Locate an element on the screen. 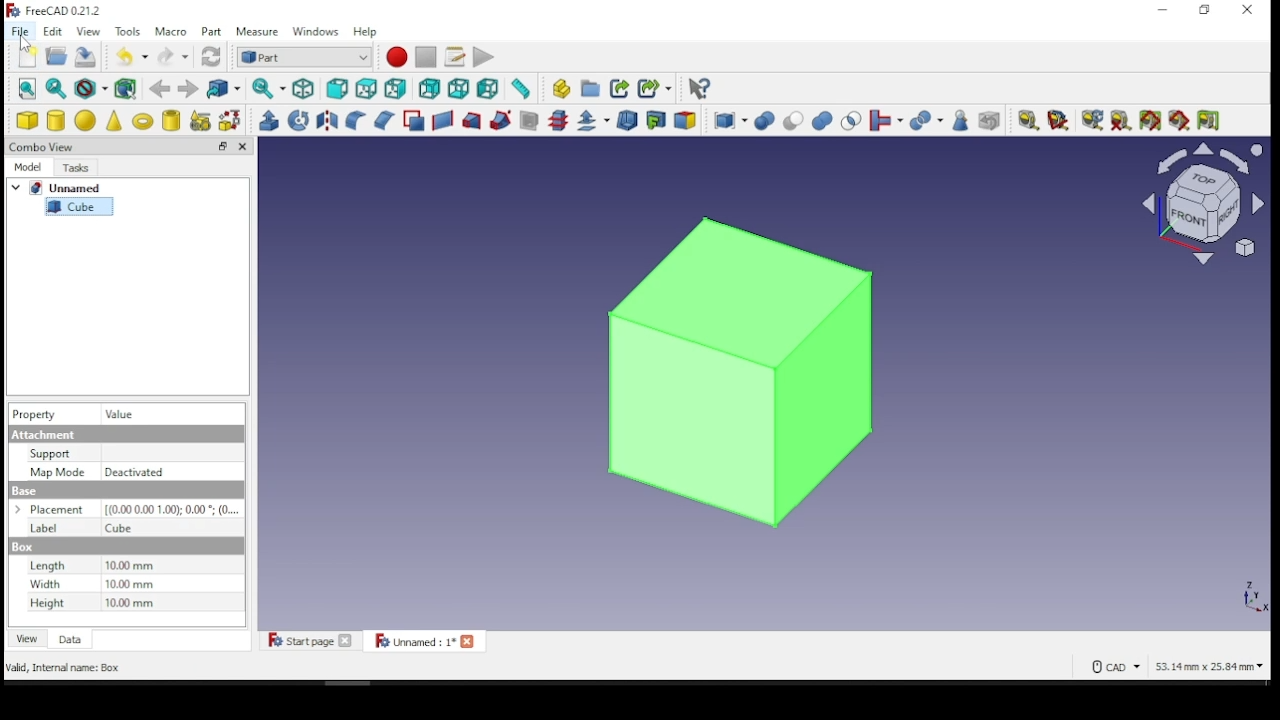 The height and width of the screenshot is (720, 1280). cross sections is located at coordinates (558, 121).